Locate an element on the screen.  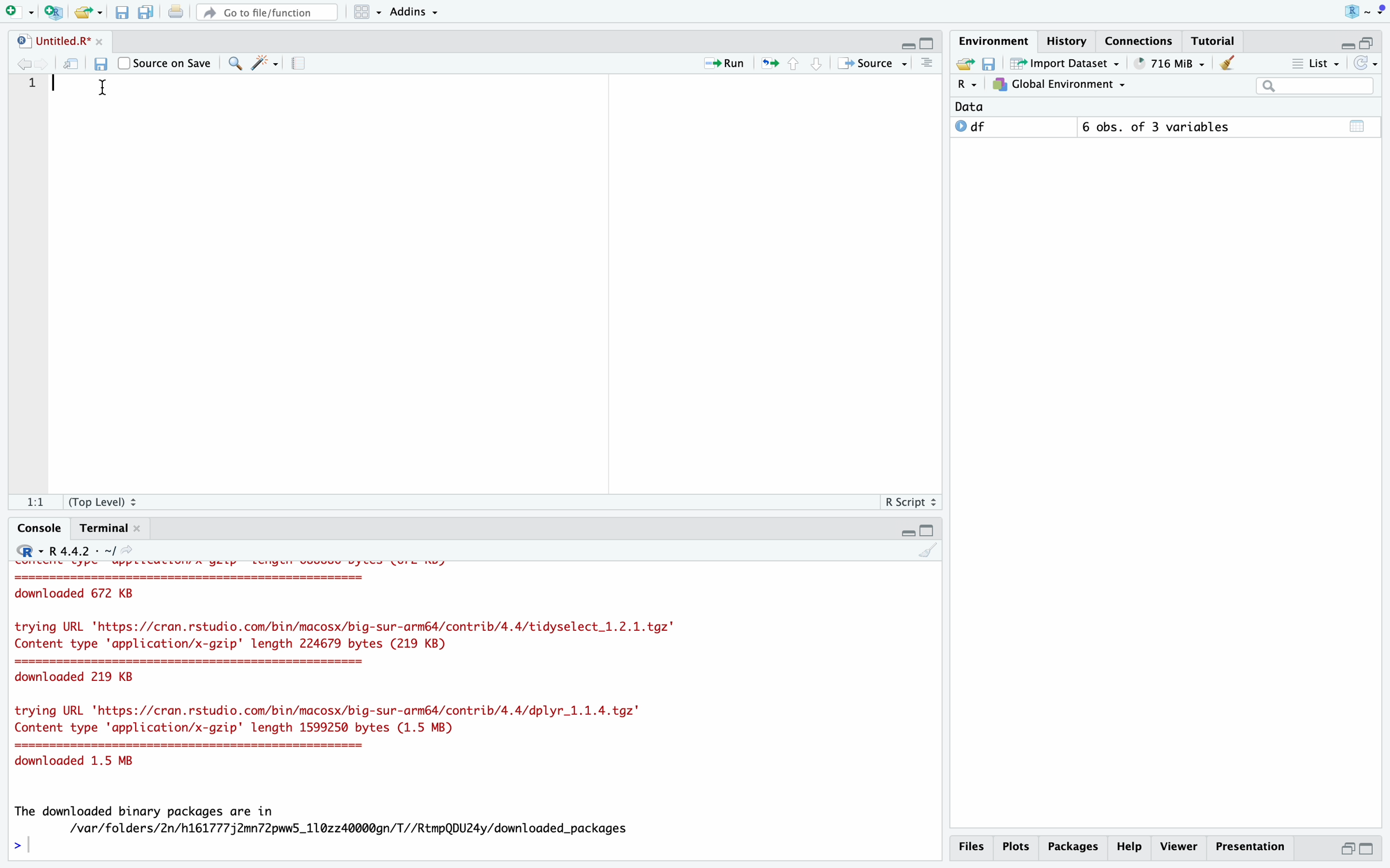
Line Numbers is located at coordinates (29, 95).